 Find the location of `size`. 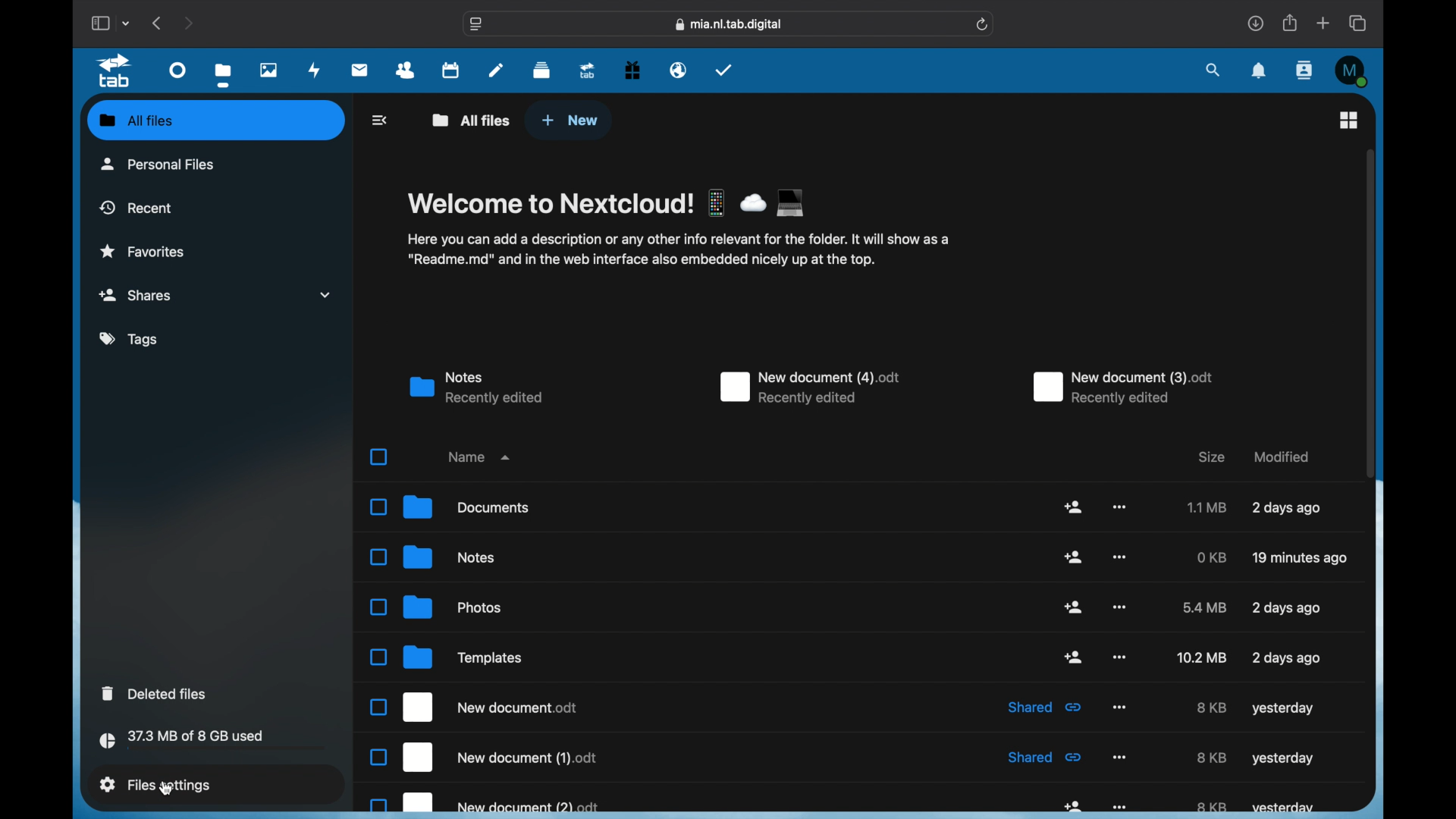

size is located at coordinates (1213, 807).